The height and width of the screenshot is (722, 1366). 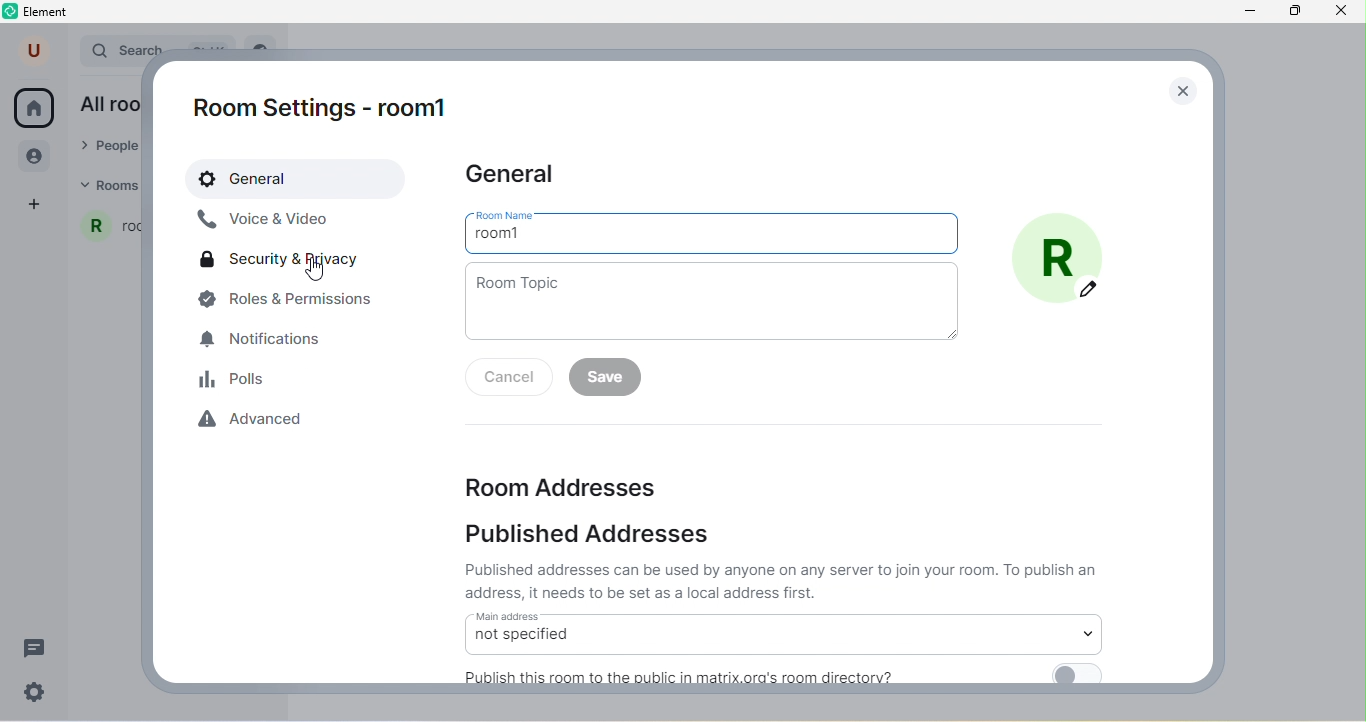 What do you see at coordinates (1249, 13) in the screenshot?
I see `minimize` at bounding box center [1249, 13].